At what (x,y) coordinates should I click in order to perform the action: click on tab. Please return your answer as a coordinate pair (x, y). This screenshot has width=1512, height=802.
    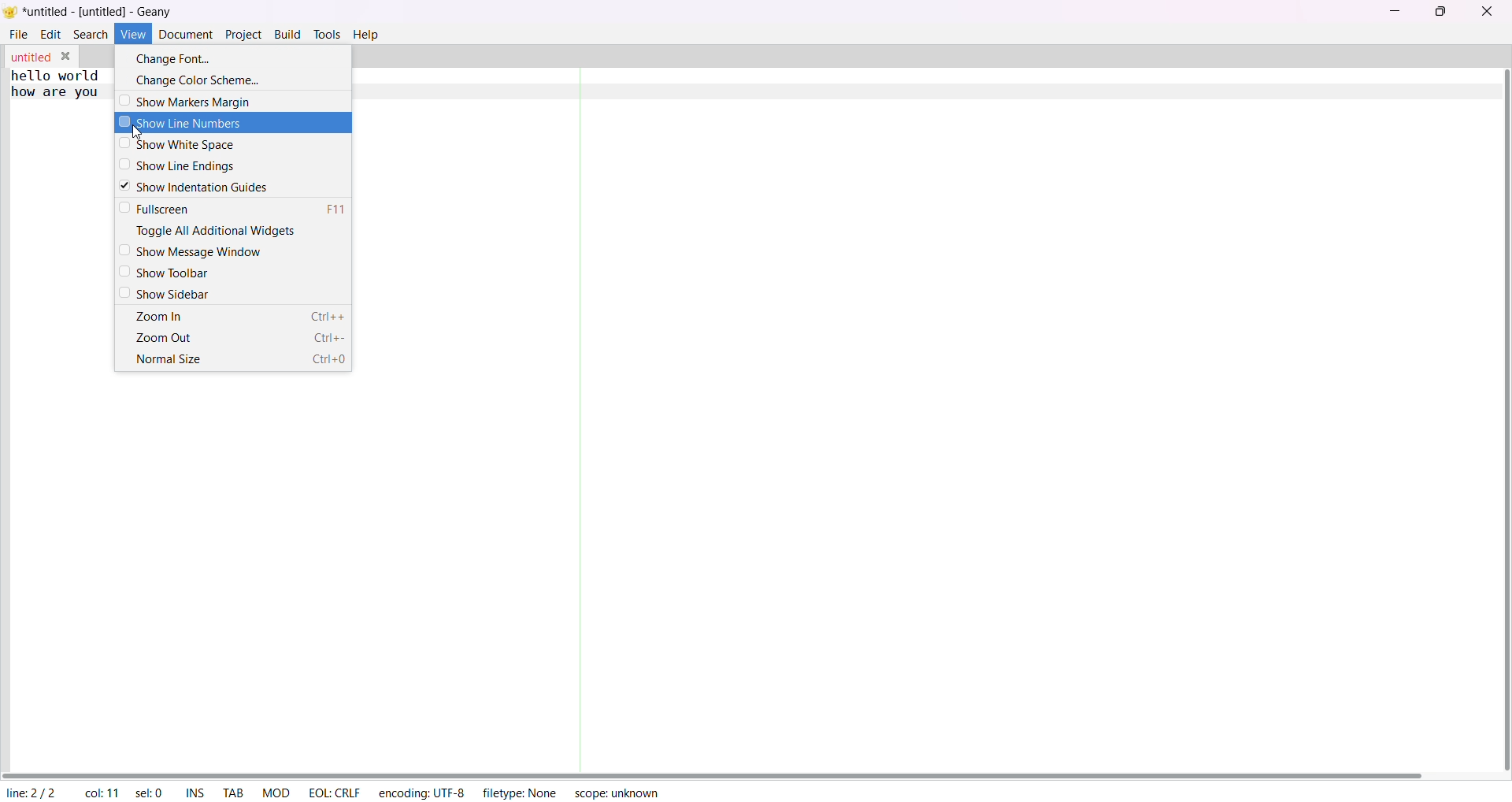
    Looking at the image, I should click on (233, 790).